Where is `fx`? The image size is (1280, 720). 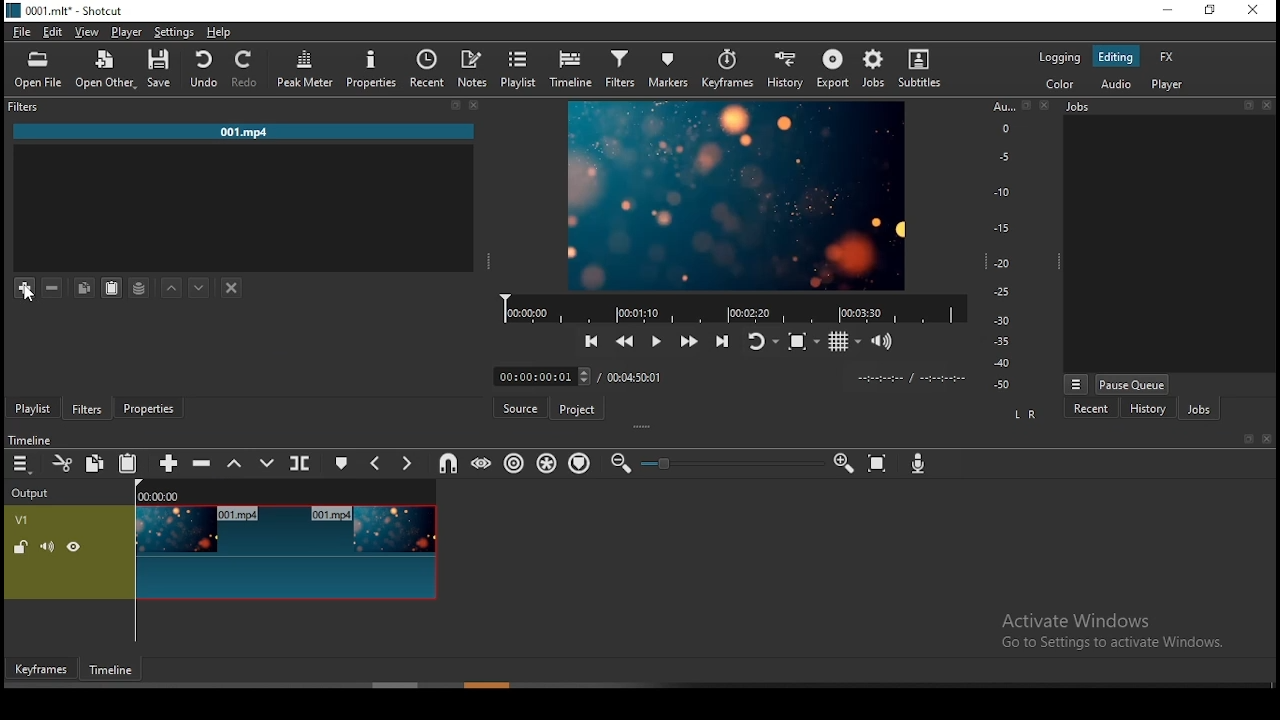
fx is located at coordinates (1167, 55).